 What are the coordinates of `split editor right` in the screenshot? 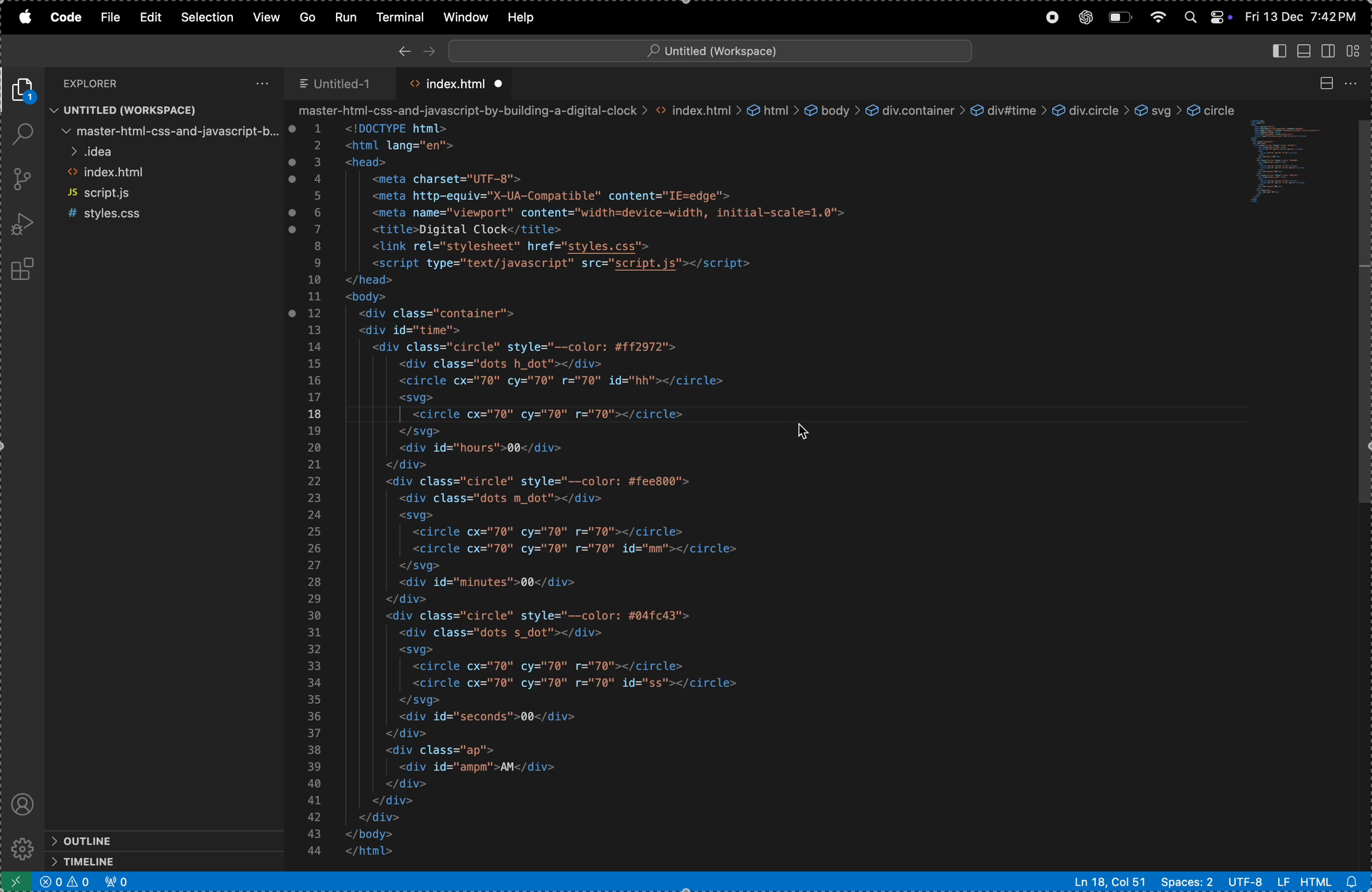 It's located at (1325, 84).